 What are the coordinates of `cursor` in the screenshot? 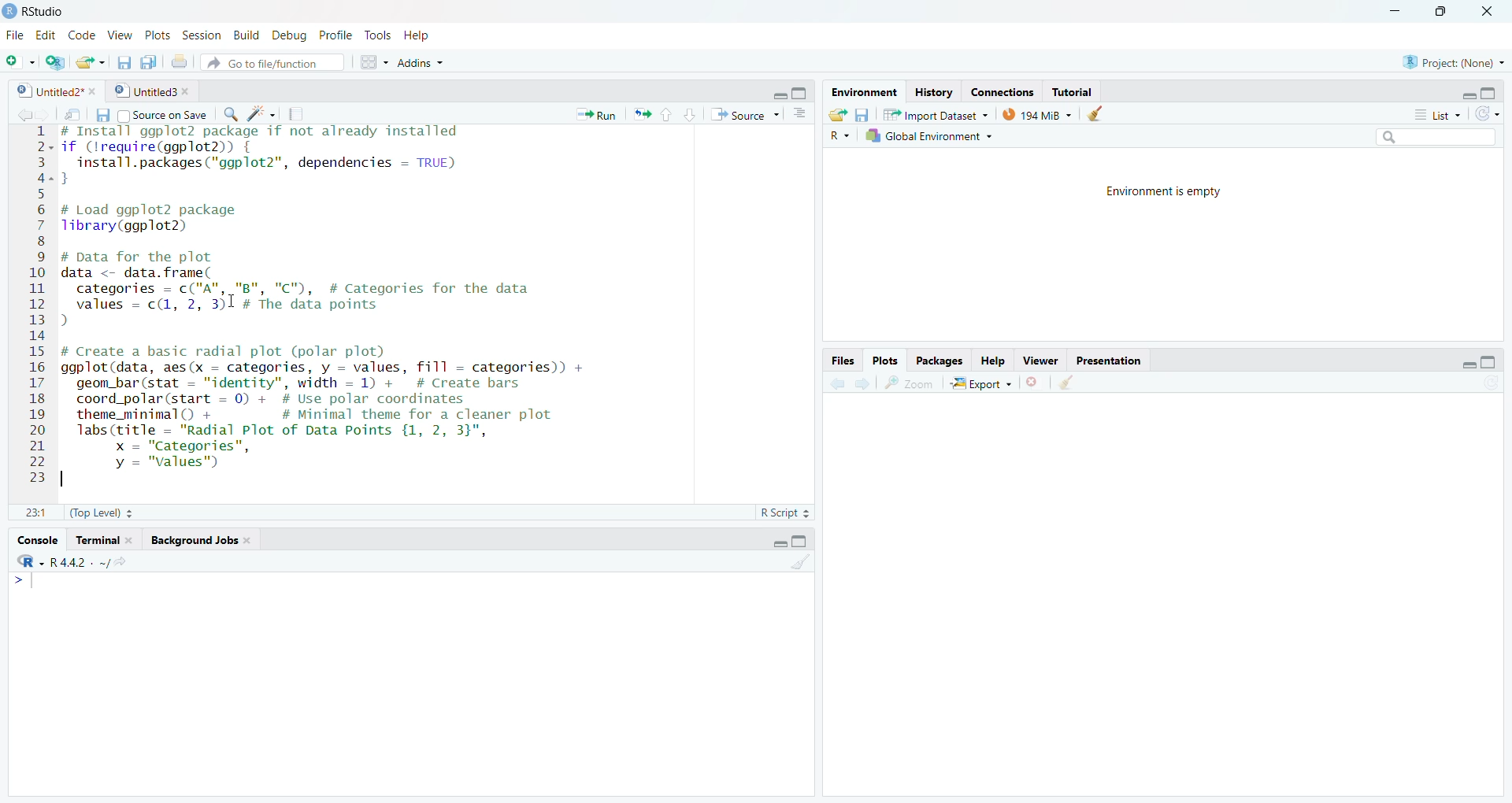 It's located at (233, 302).